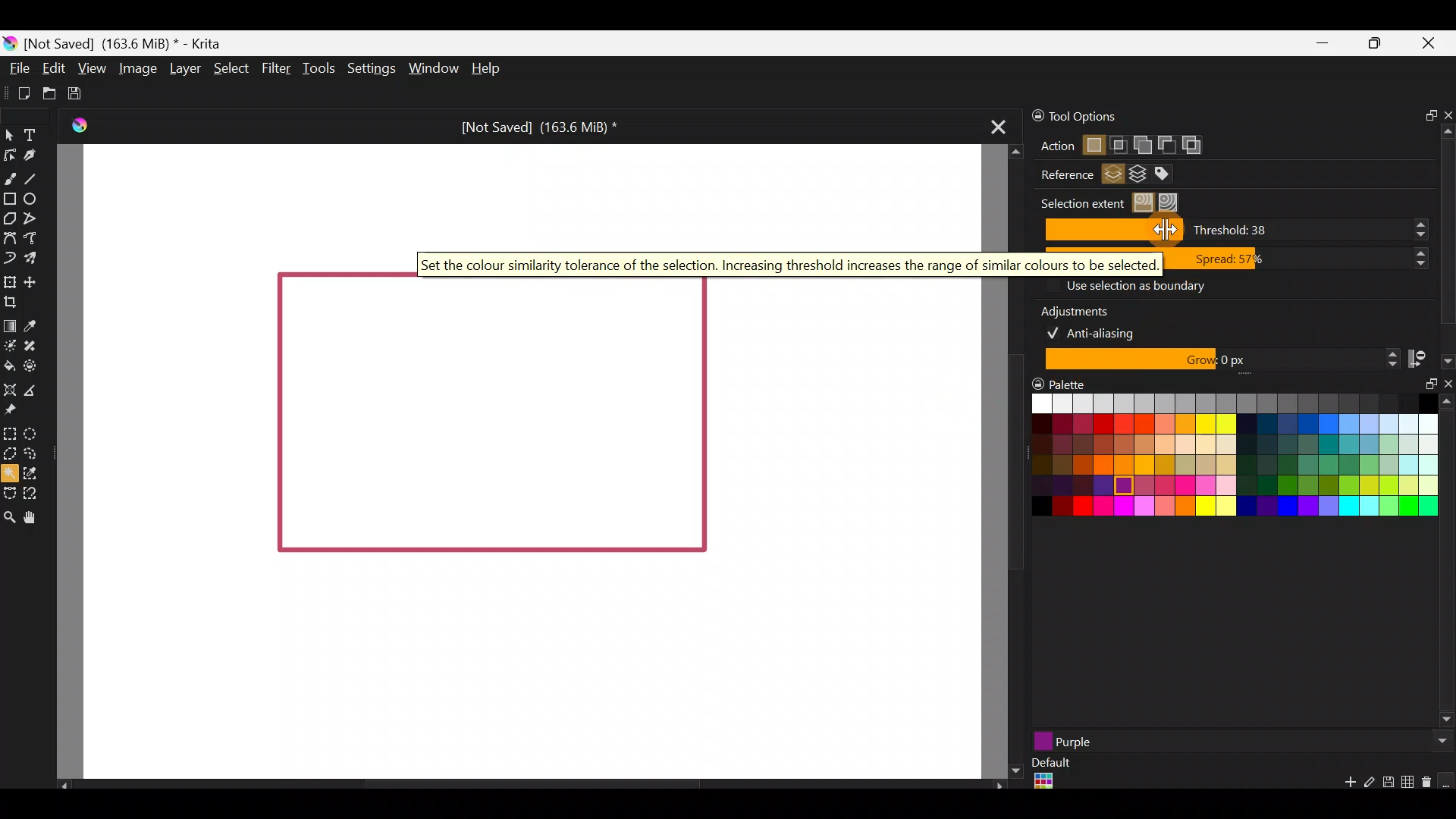 This screenshot has width=1456, height=819. Describe the element at coordinates (523, 784) in the screenshot. I see `Scroll bar` at that location.